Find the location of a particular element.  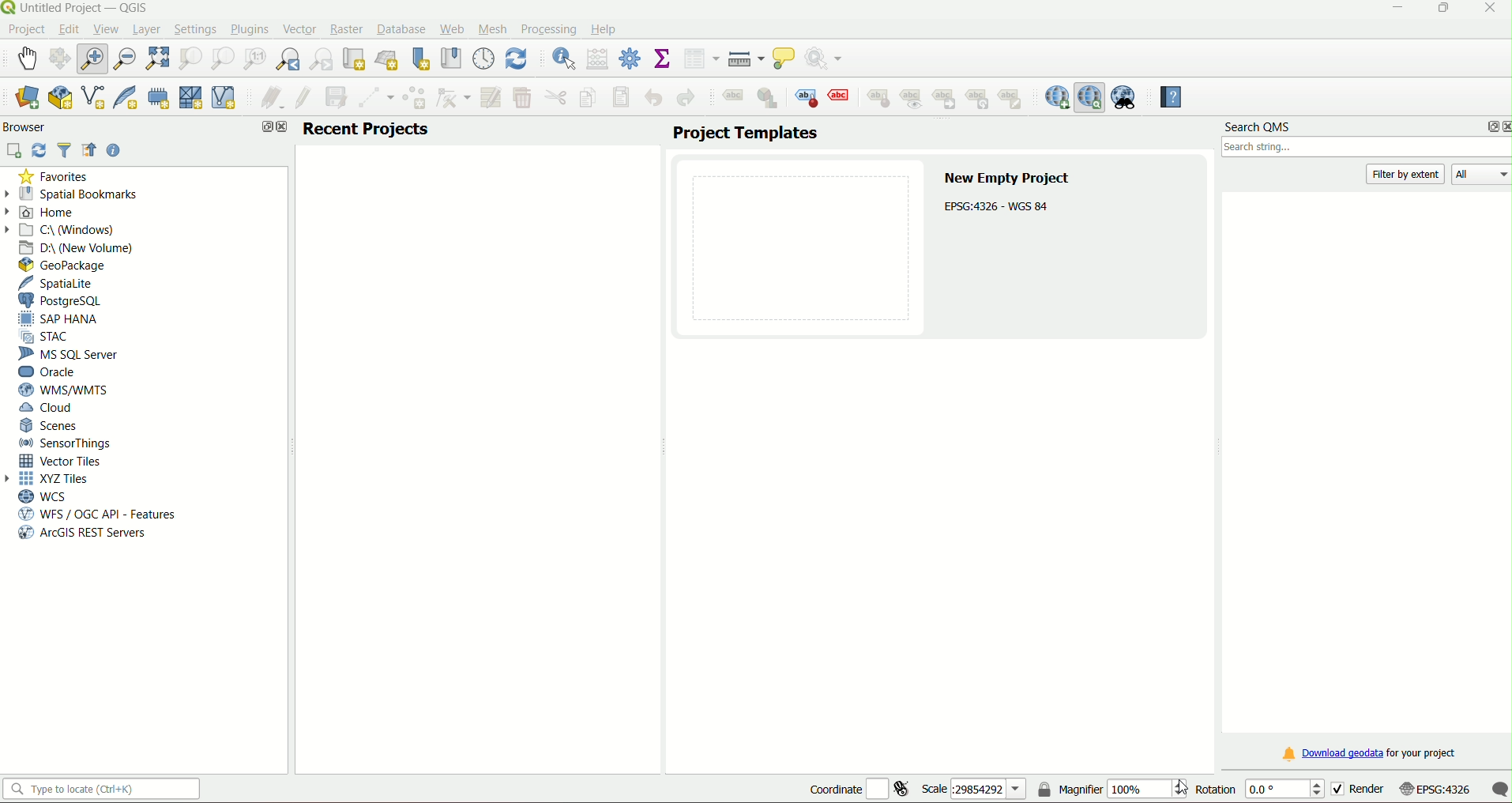

WMS/WMTS is located at coordinates (62, 390).